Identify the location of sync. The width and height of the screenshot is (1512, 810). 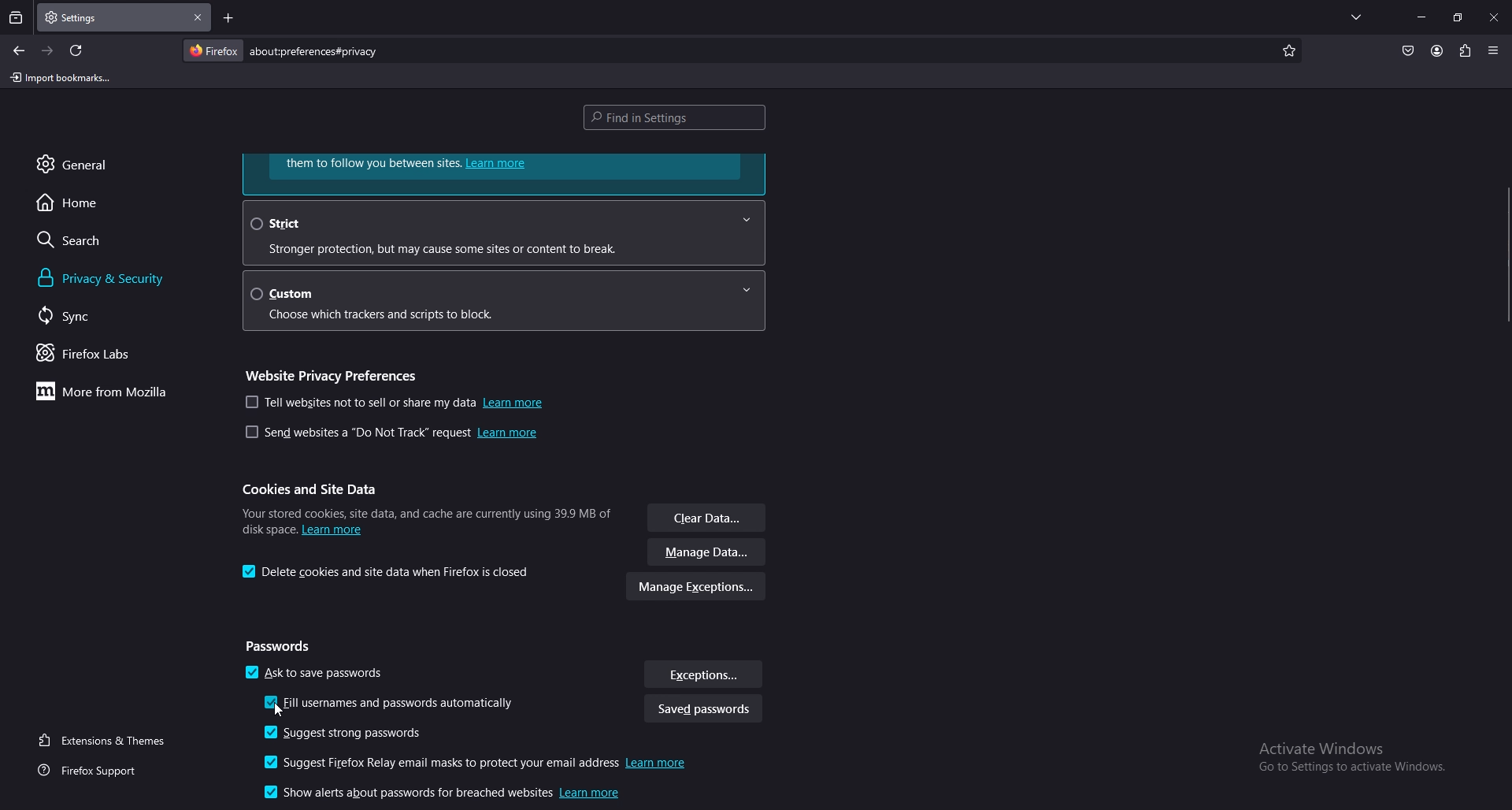
(83, 316).